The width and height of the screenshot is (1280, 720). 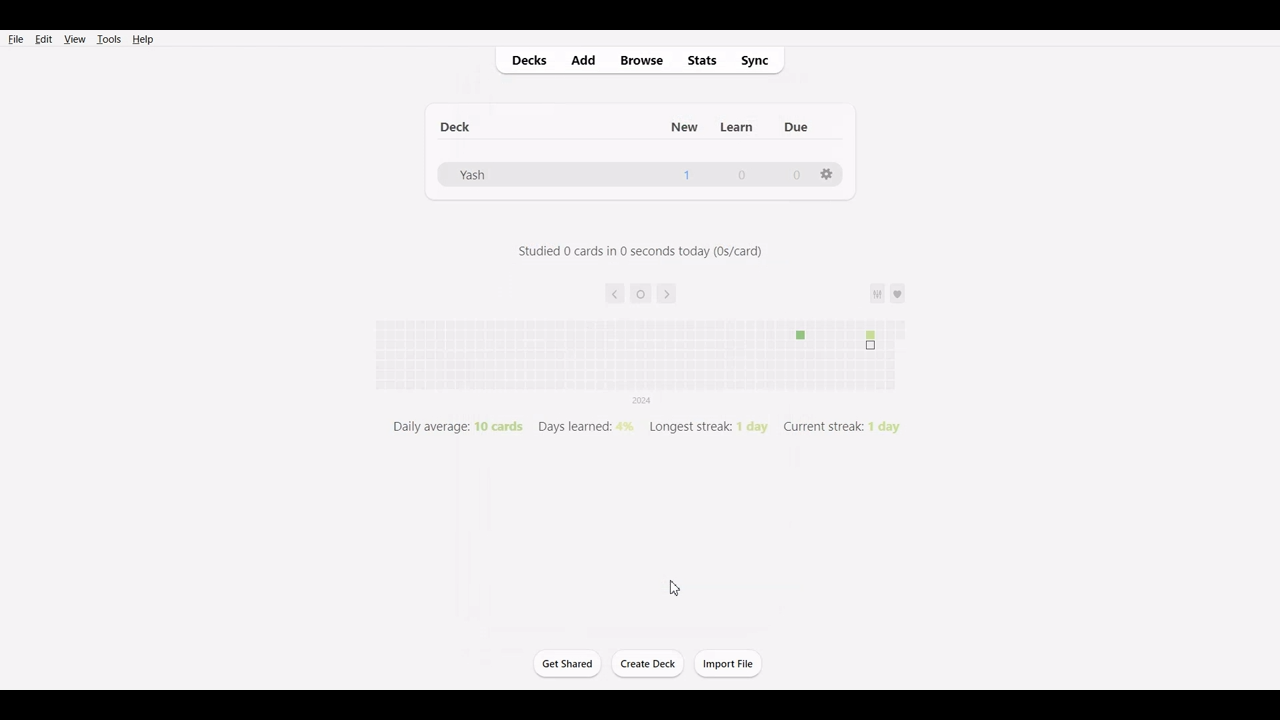 I want to click on Stats, so click(x=703, y=60).